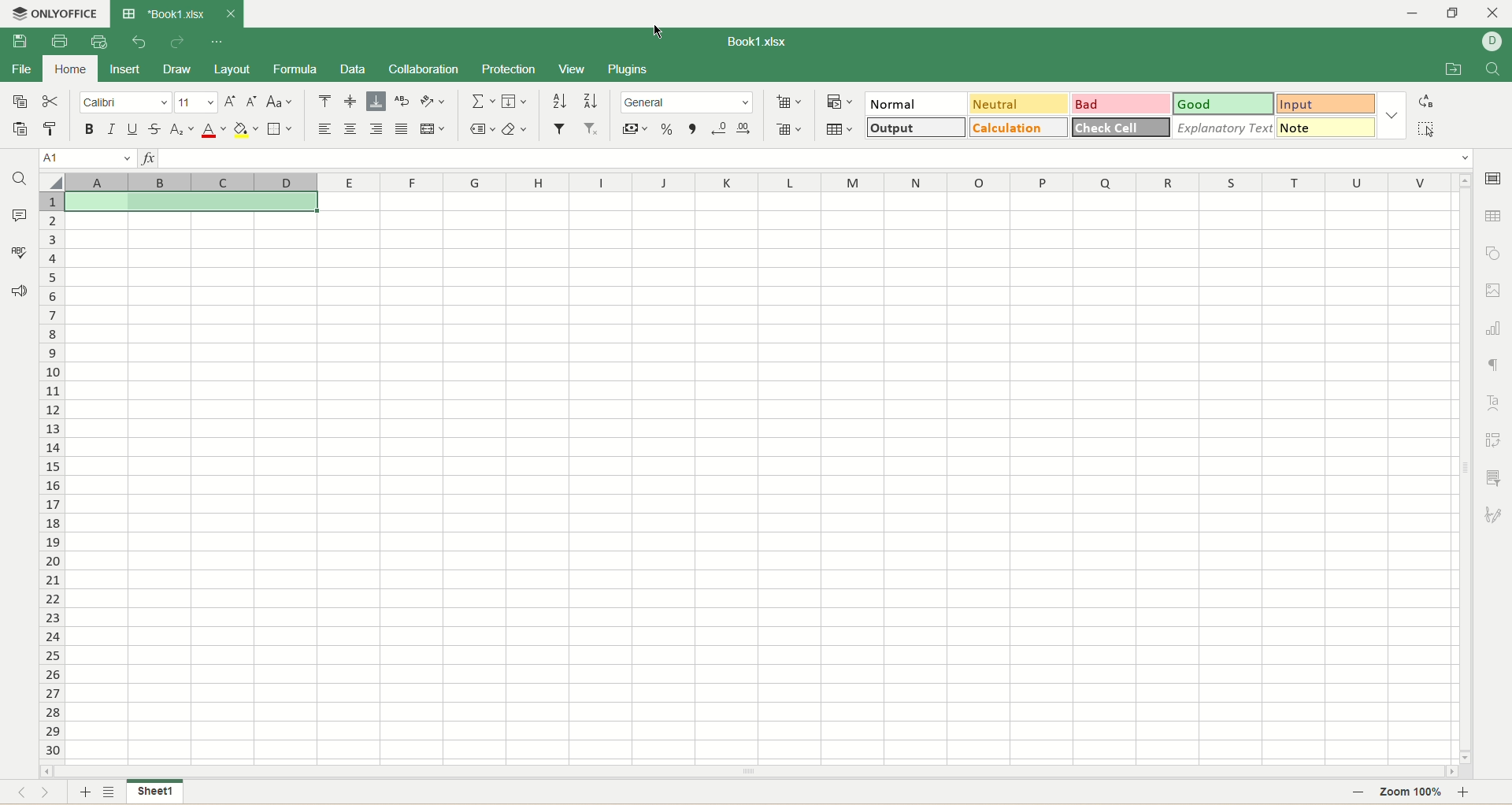  I want to click on select all, so click(1424, 129).